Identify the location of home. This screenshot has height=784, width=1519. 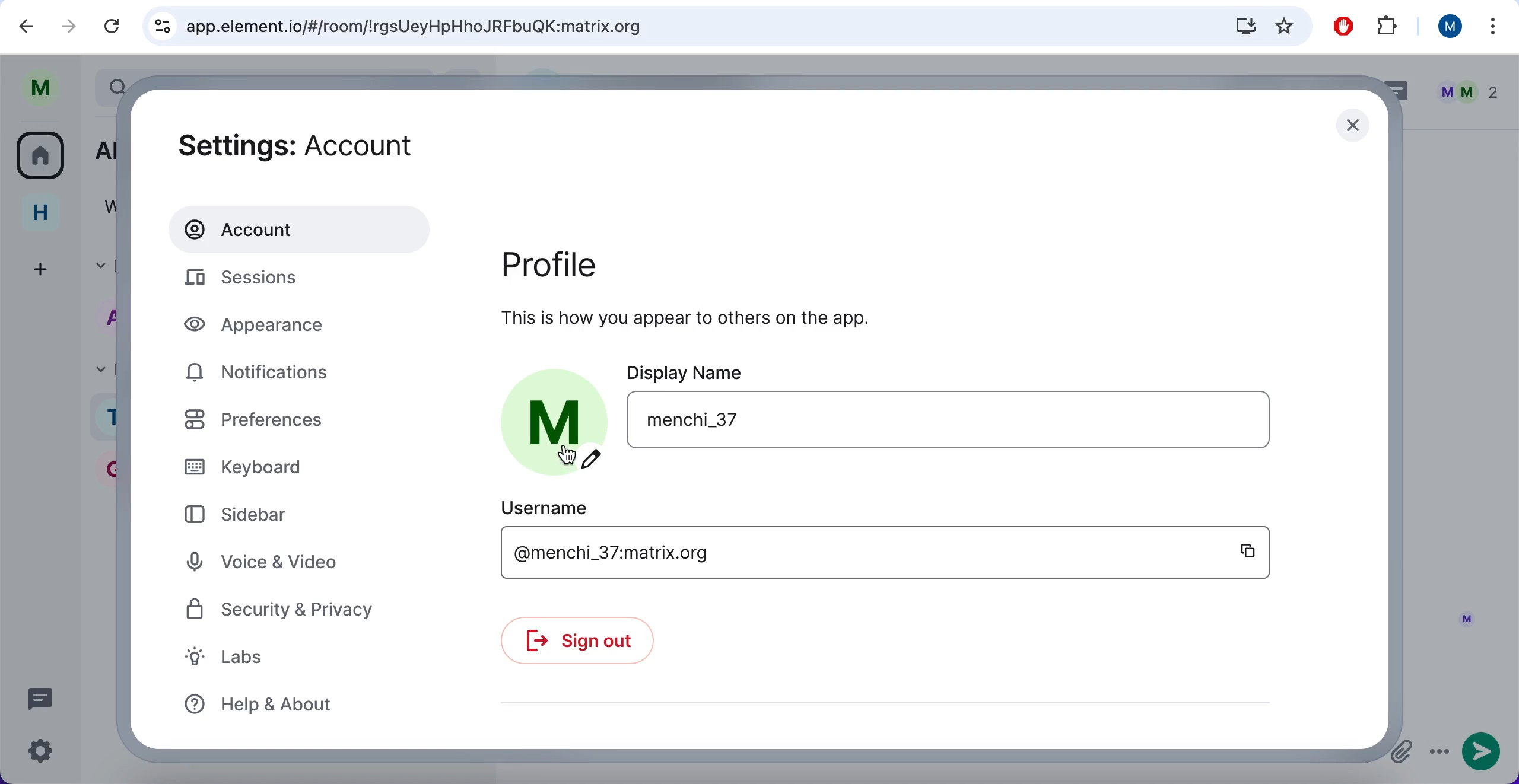
(39, 215).